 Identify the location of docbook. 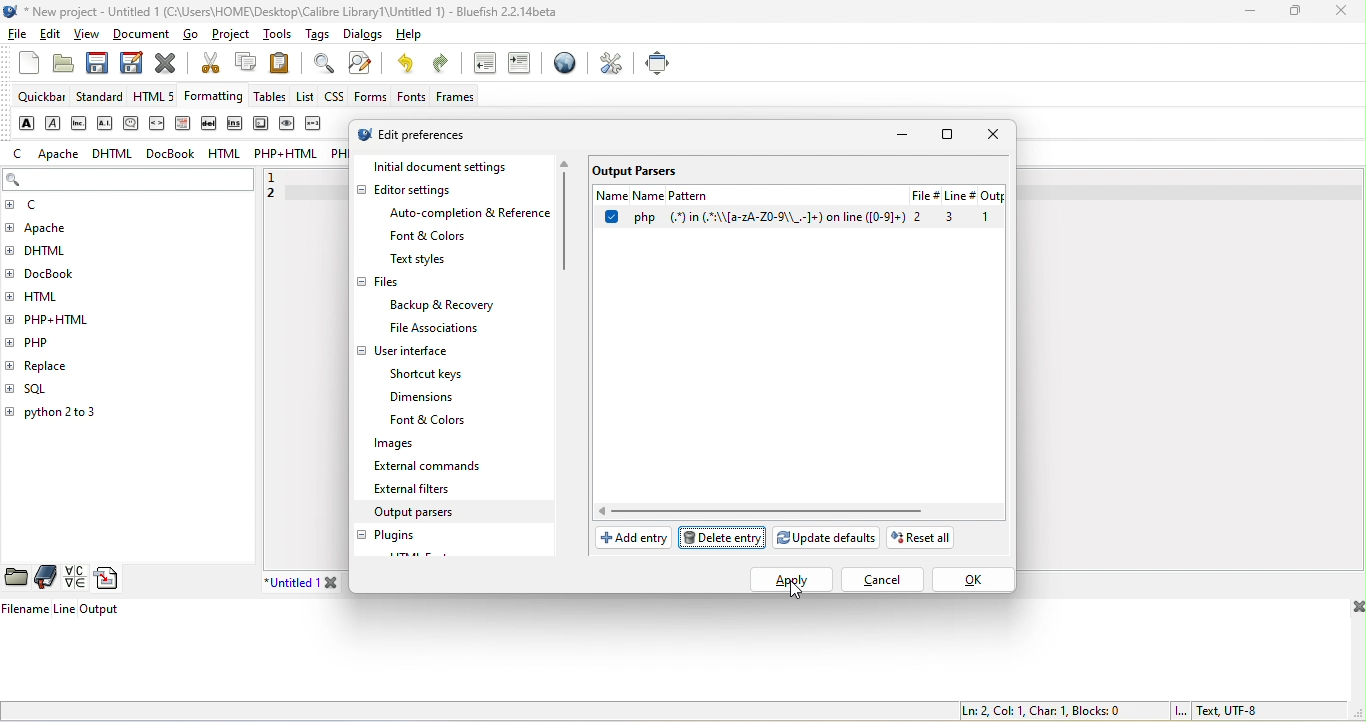
(60, 276).